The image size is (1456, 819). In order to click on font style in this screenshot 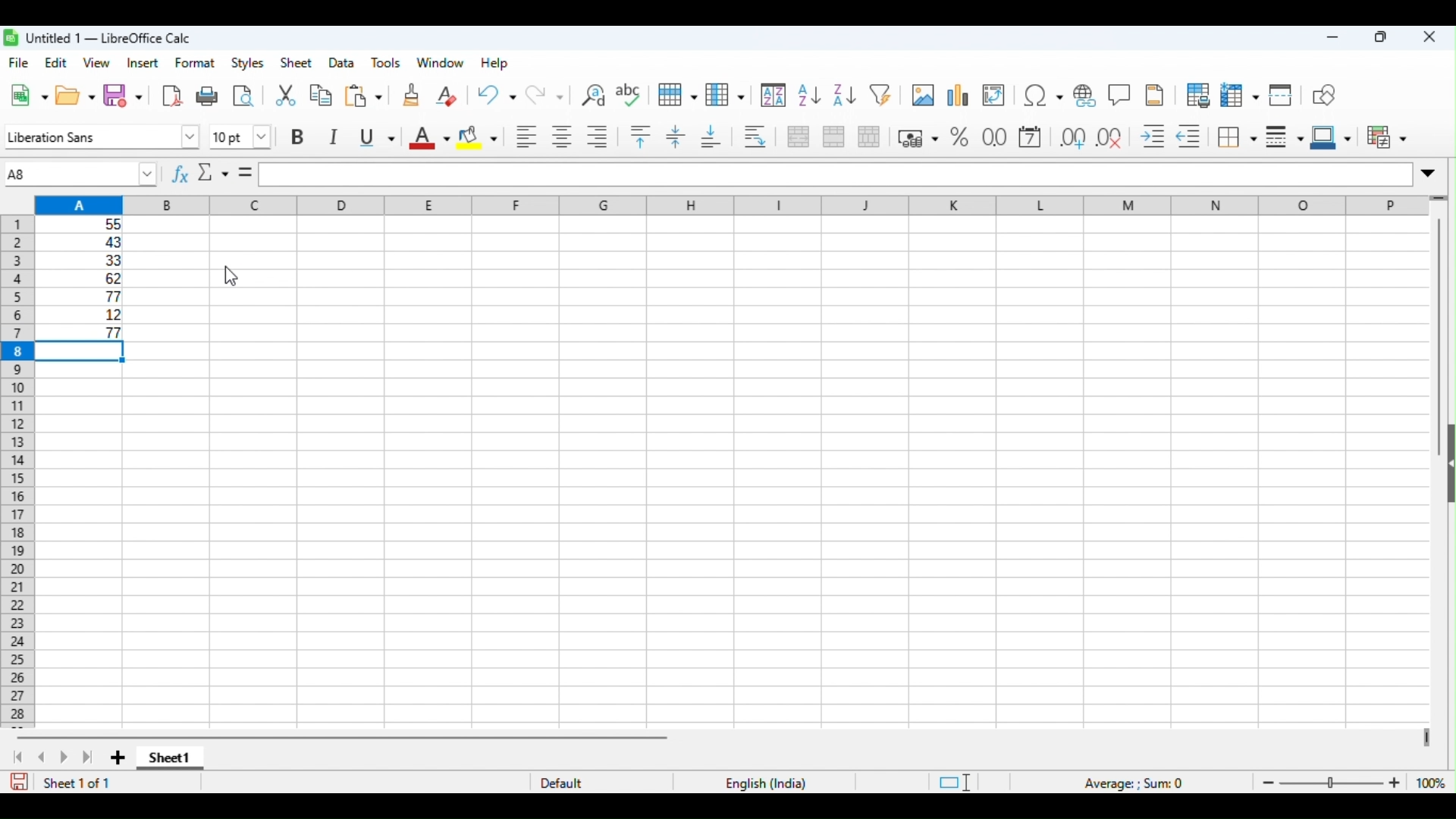, I will do `click(102, 136)`.